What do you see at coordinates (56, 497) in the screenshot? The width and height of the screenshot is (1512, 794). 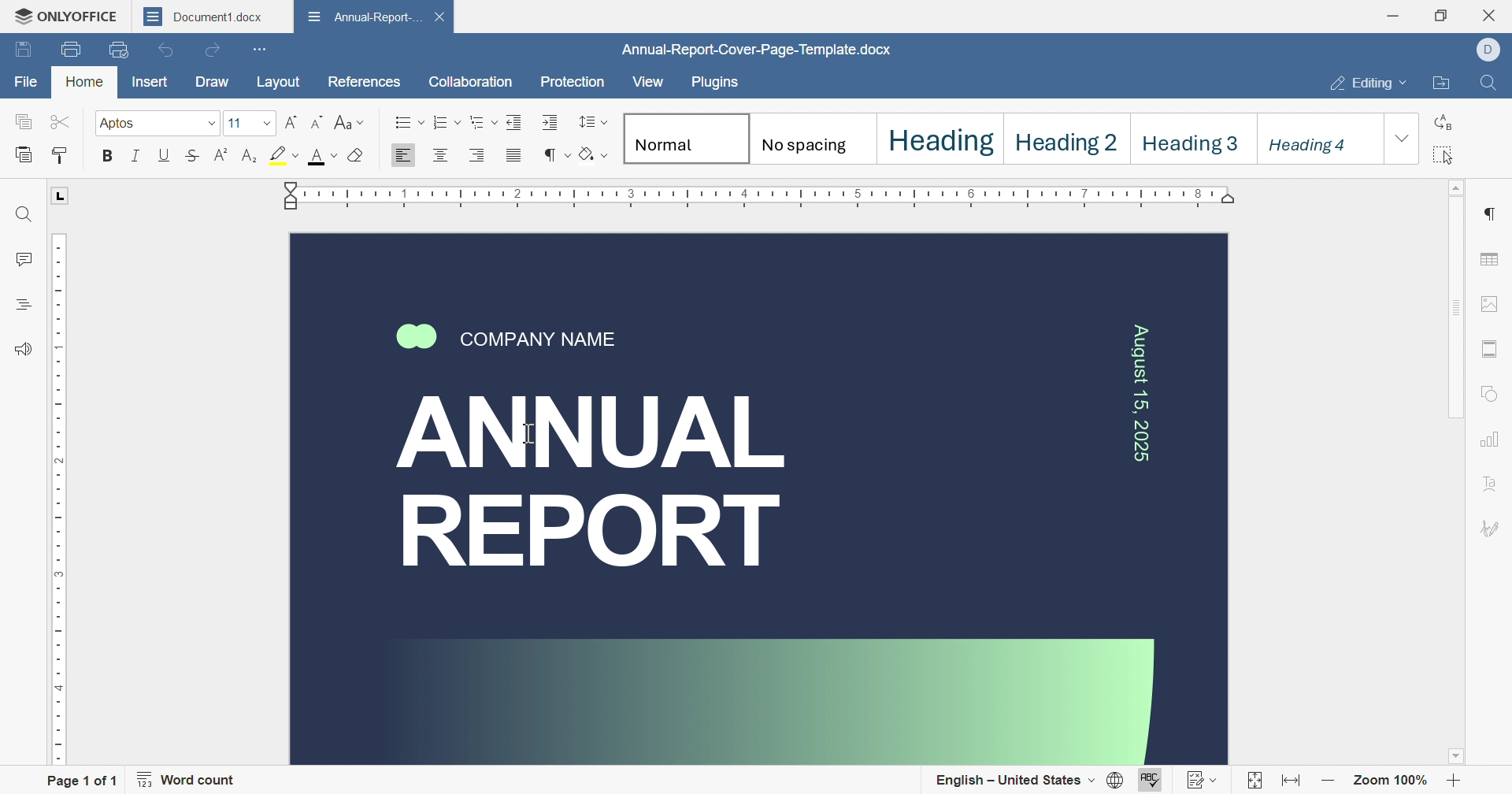 I see `ruler` at bounding box center [56, 497].